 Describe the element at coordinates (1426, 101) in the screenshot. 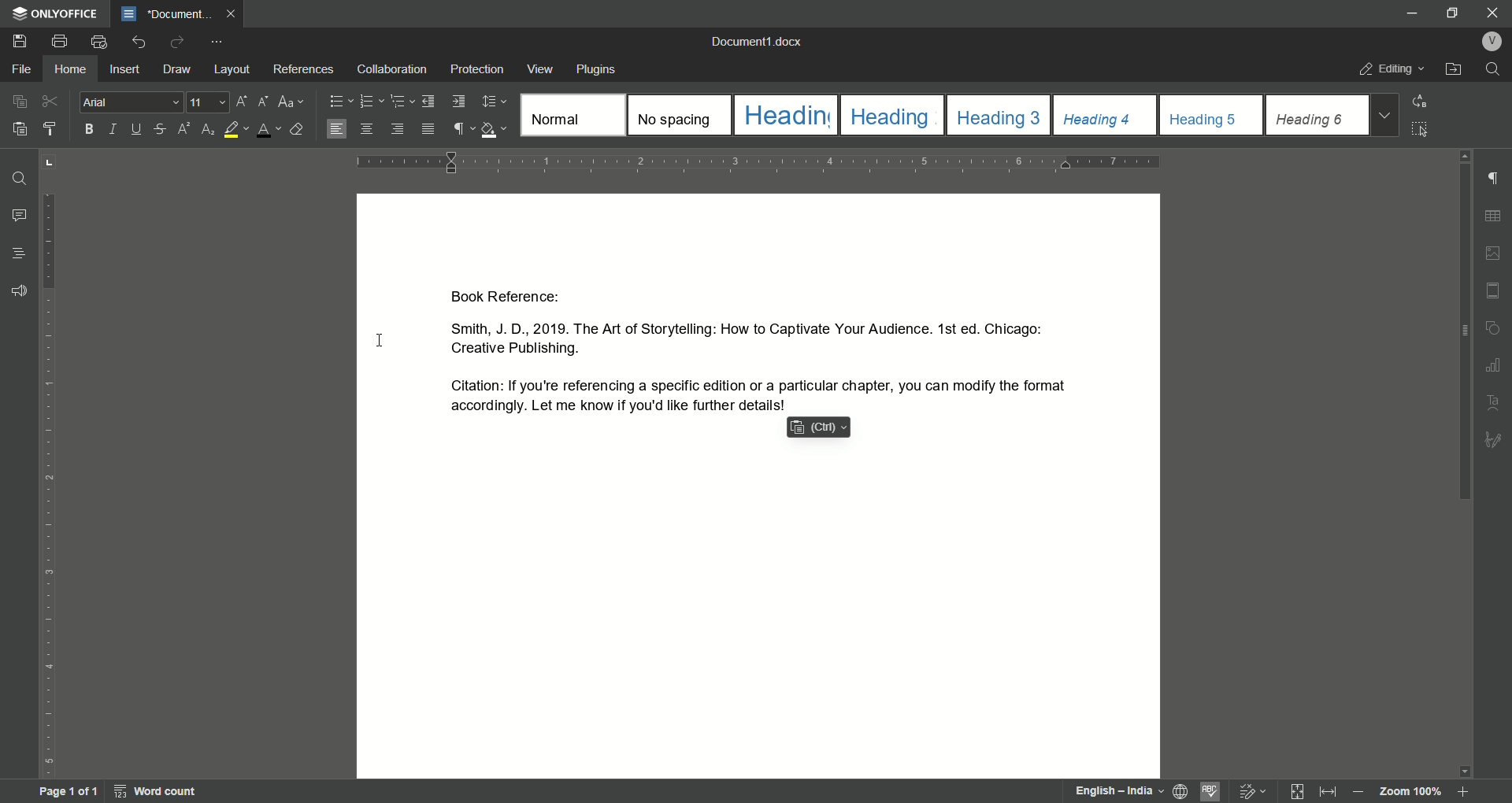

I see `replace` at that location.